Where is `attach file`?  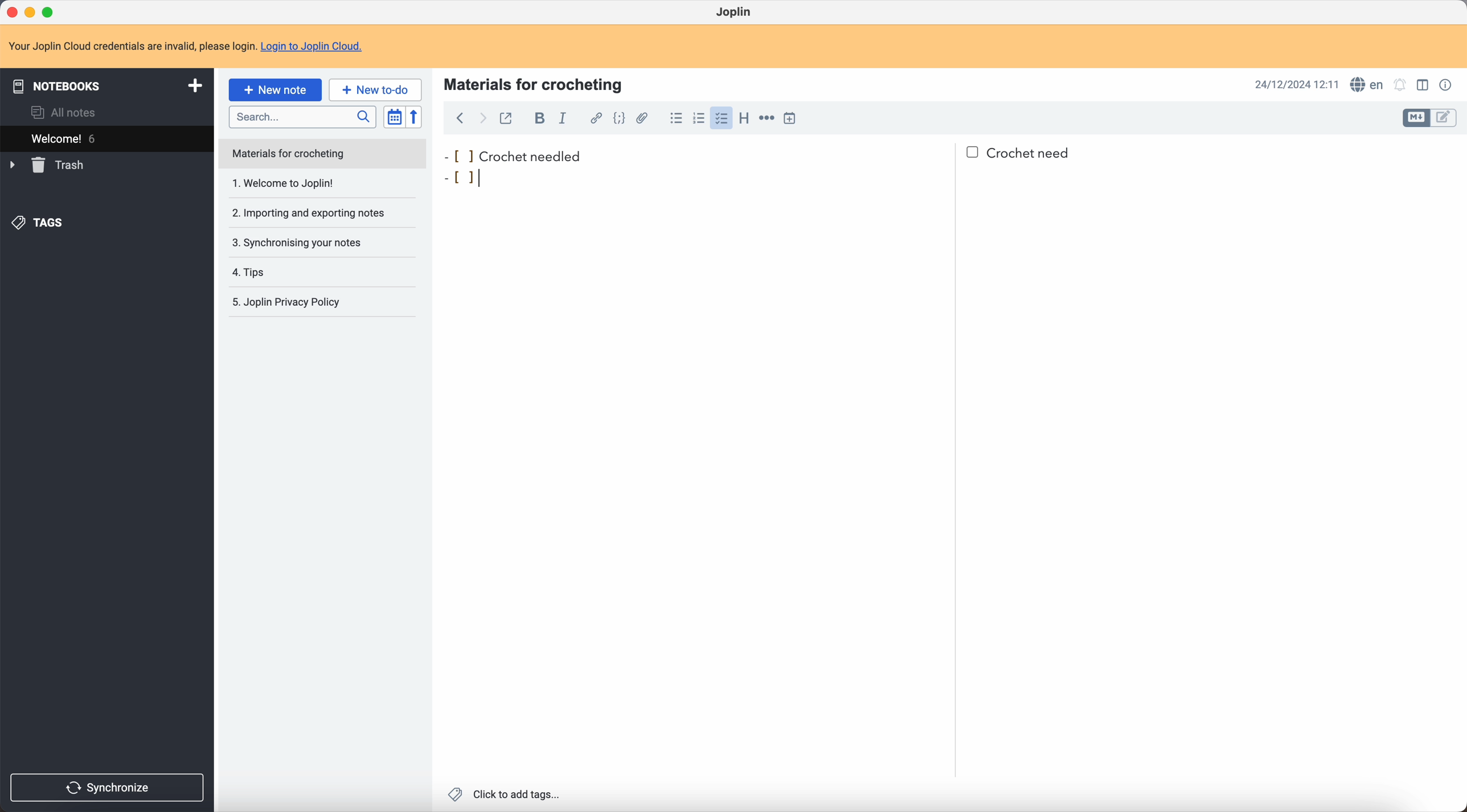 attach file is located at coordinates (645, 118).